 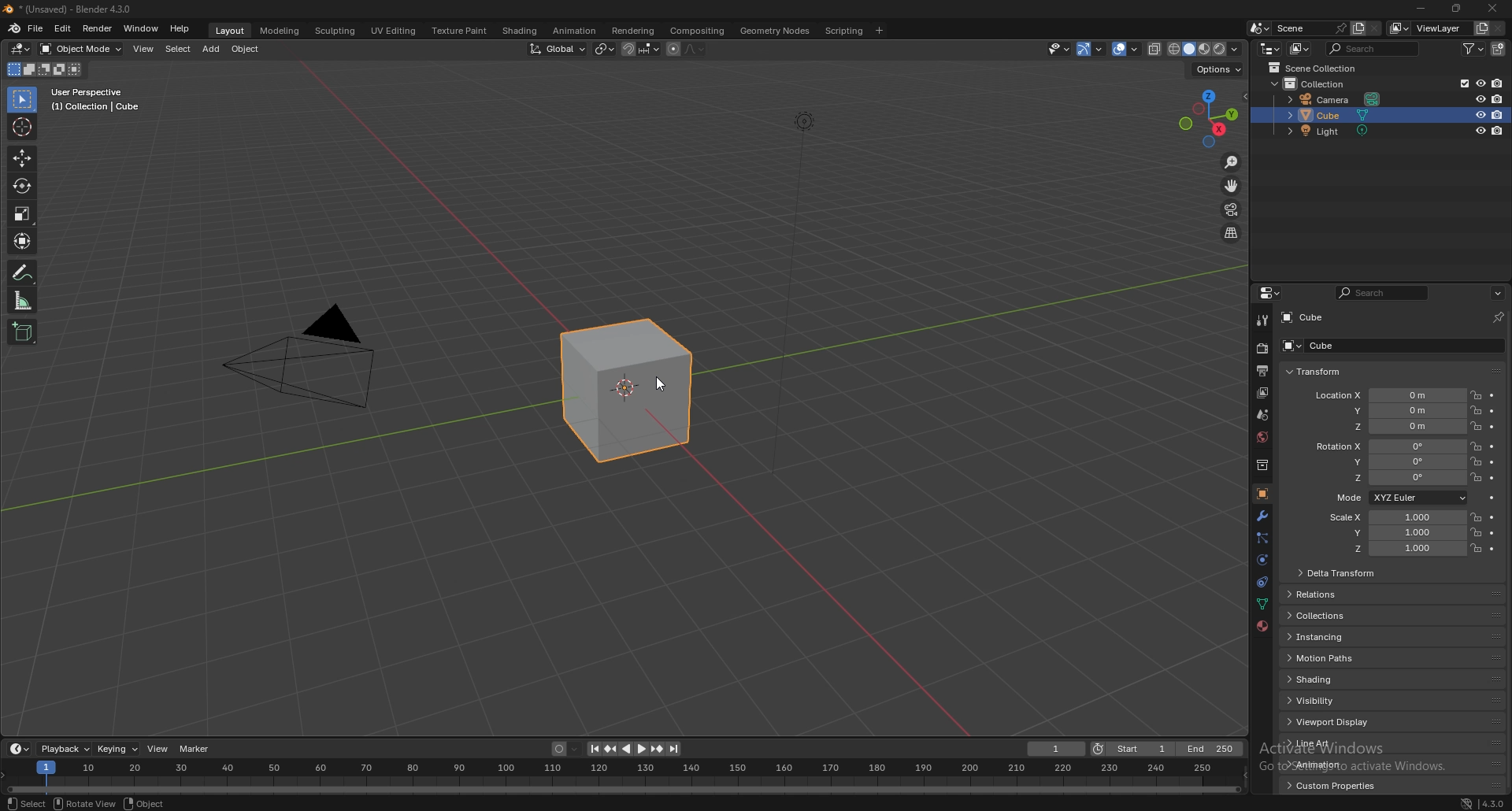 I want to click on move, so click(x=21, y=158).